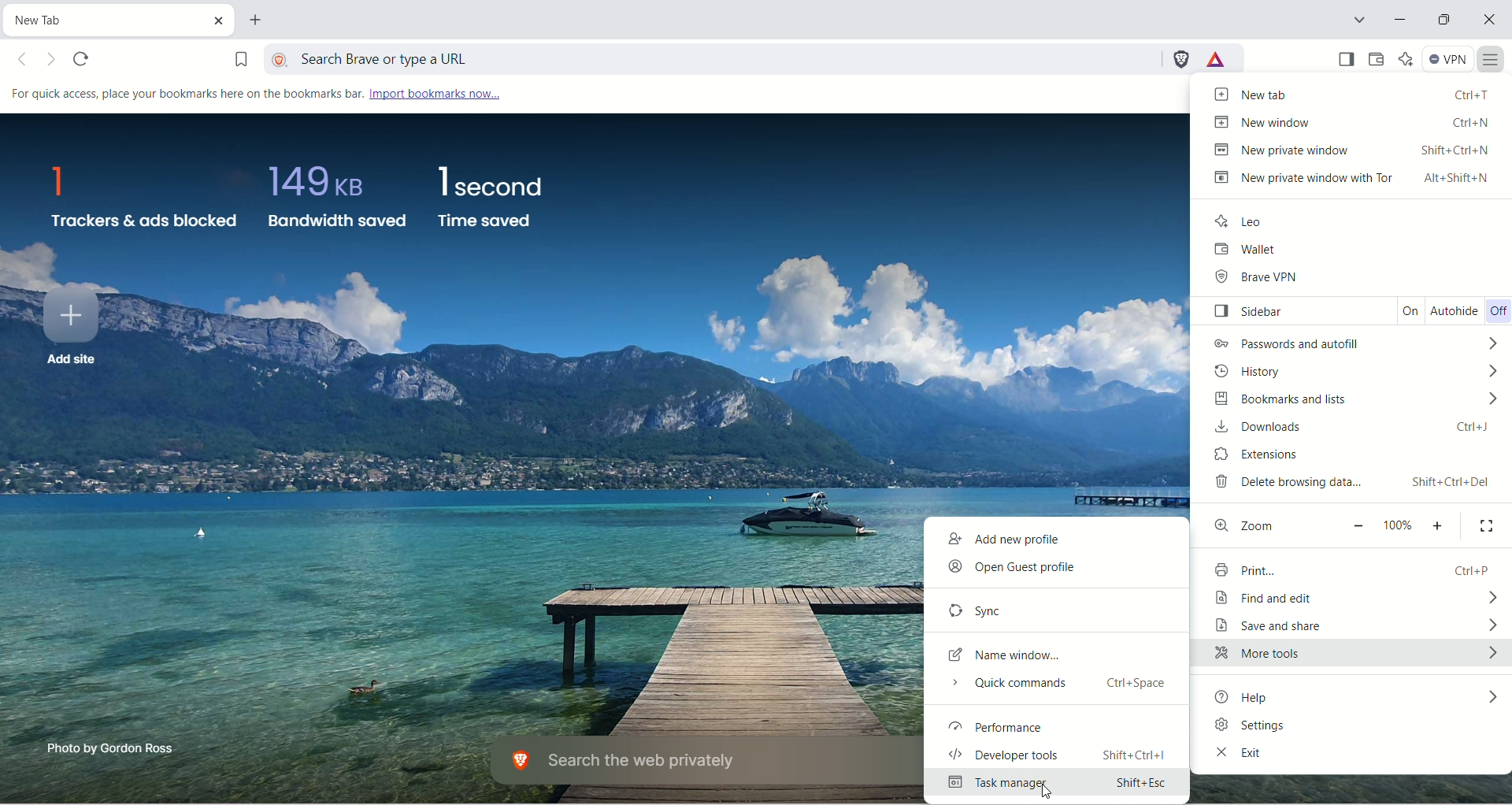  What do you see at coordinates (1054, 607) in the screenshot?
I see `sync` at bounding box center [1054, 607].